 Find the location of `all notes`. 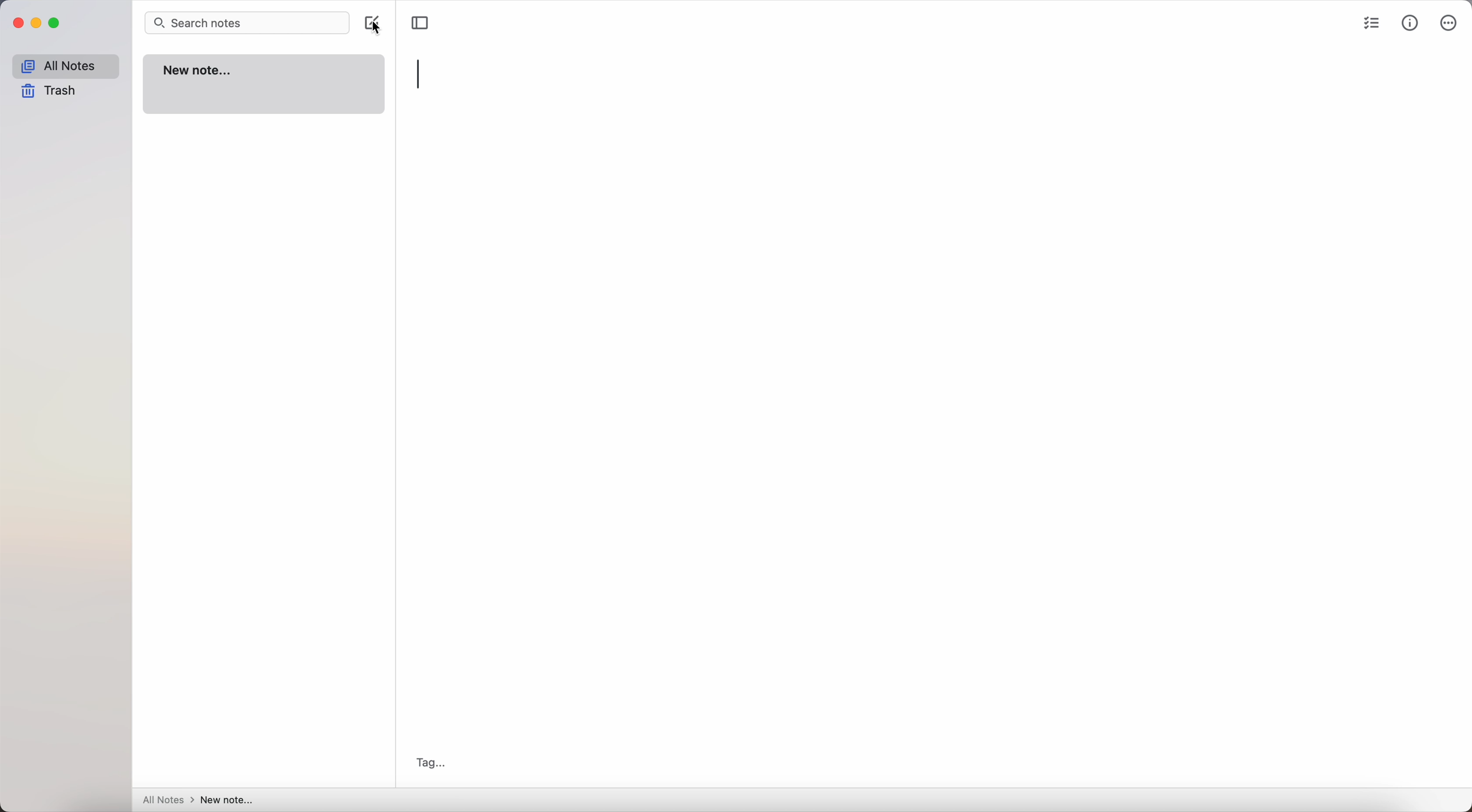

all notes is located at coordinates (65, 66).